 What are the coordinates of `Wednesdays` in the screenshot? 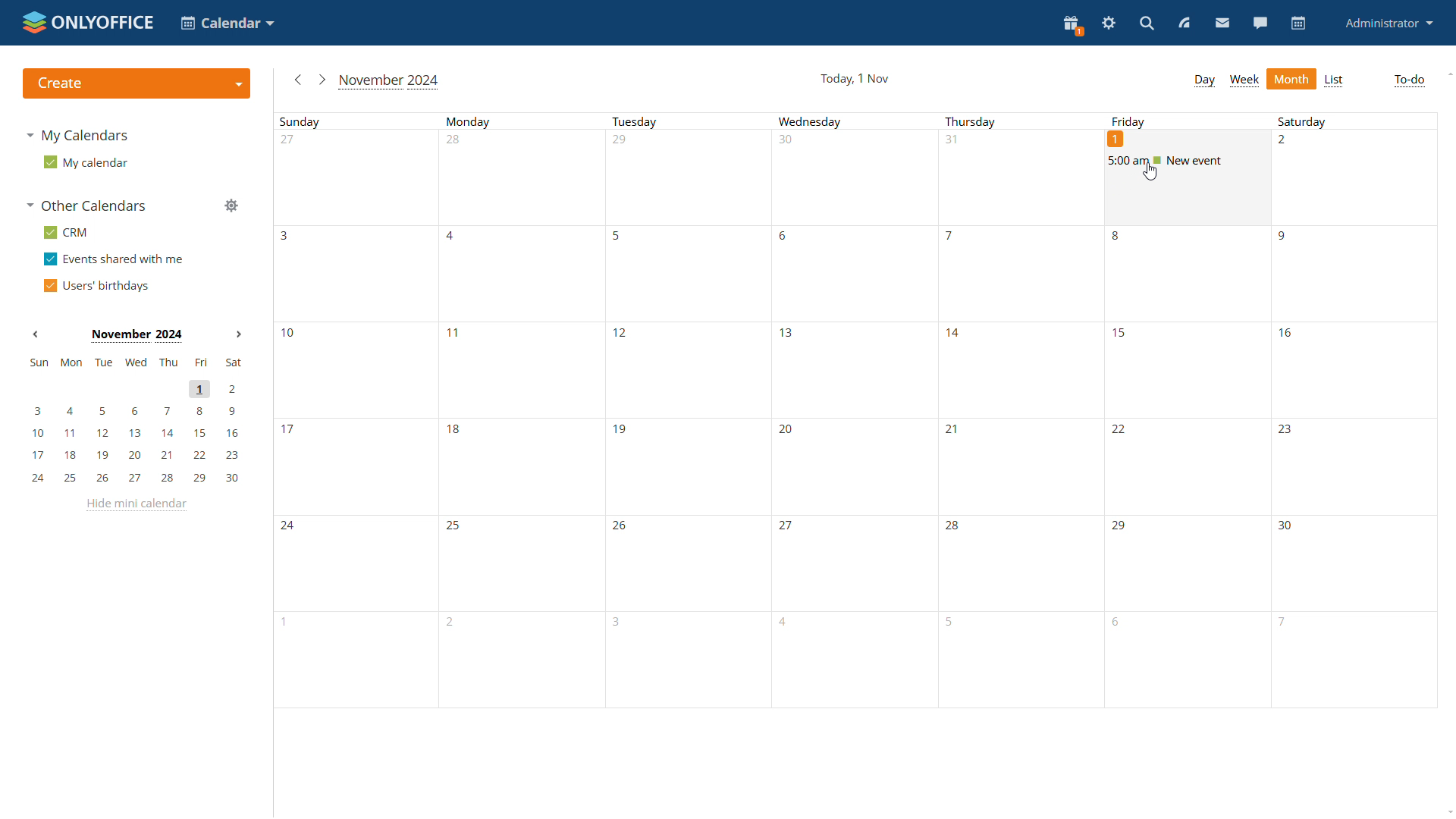 It's located at (851, 411).